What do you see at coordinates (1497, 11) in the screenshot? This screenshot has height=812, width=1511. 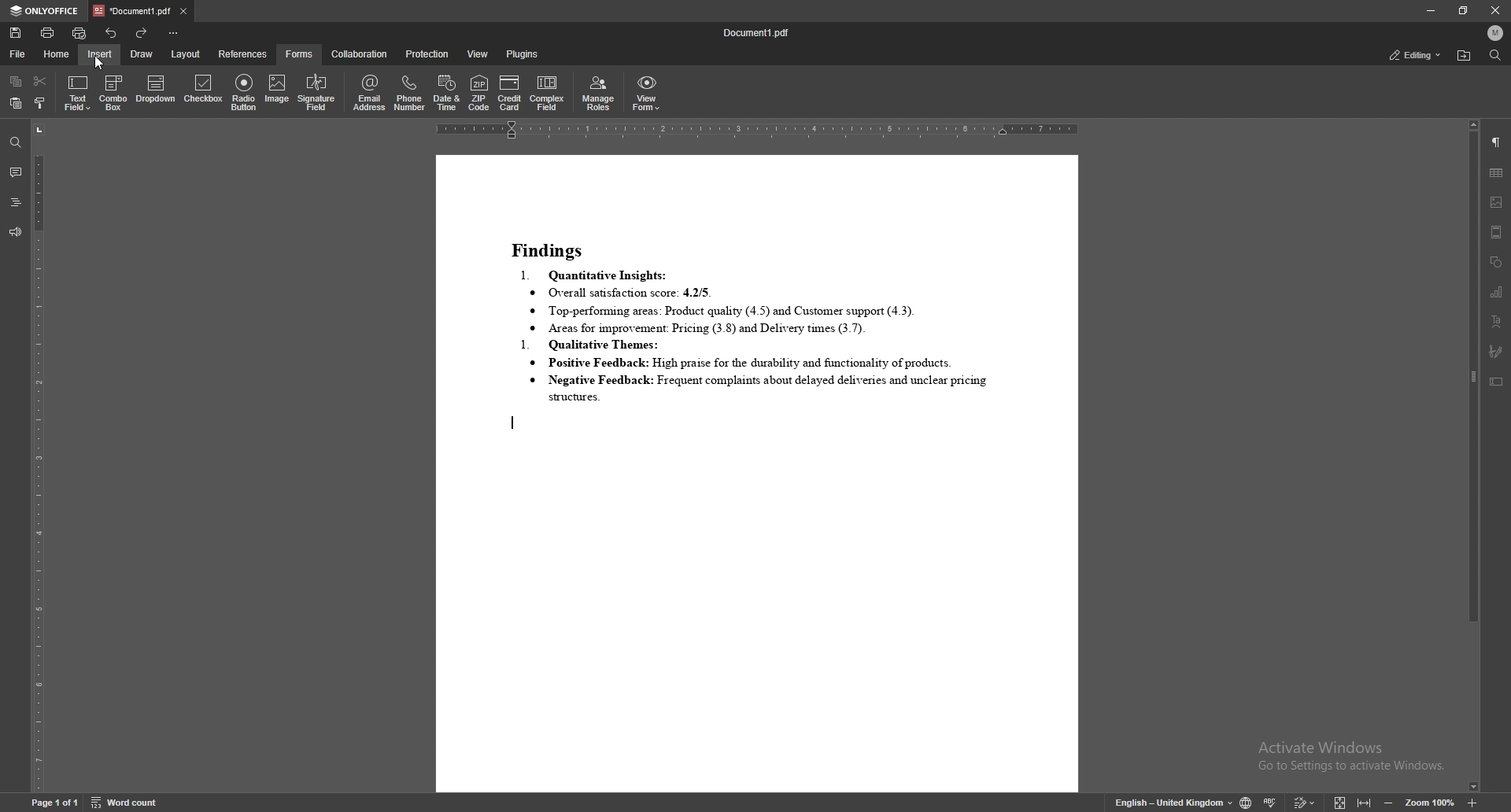 I see `close` at bounding box center [1497, 11].